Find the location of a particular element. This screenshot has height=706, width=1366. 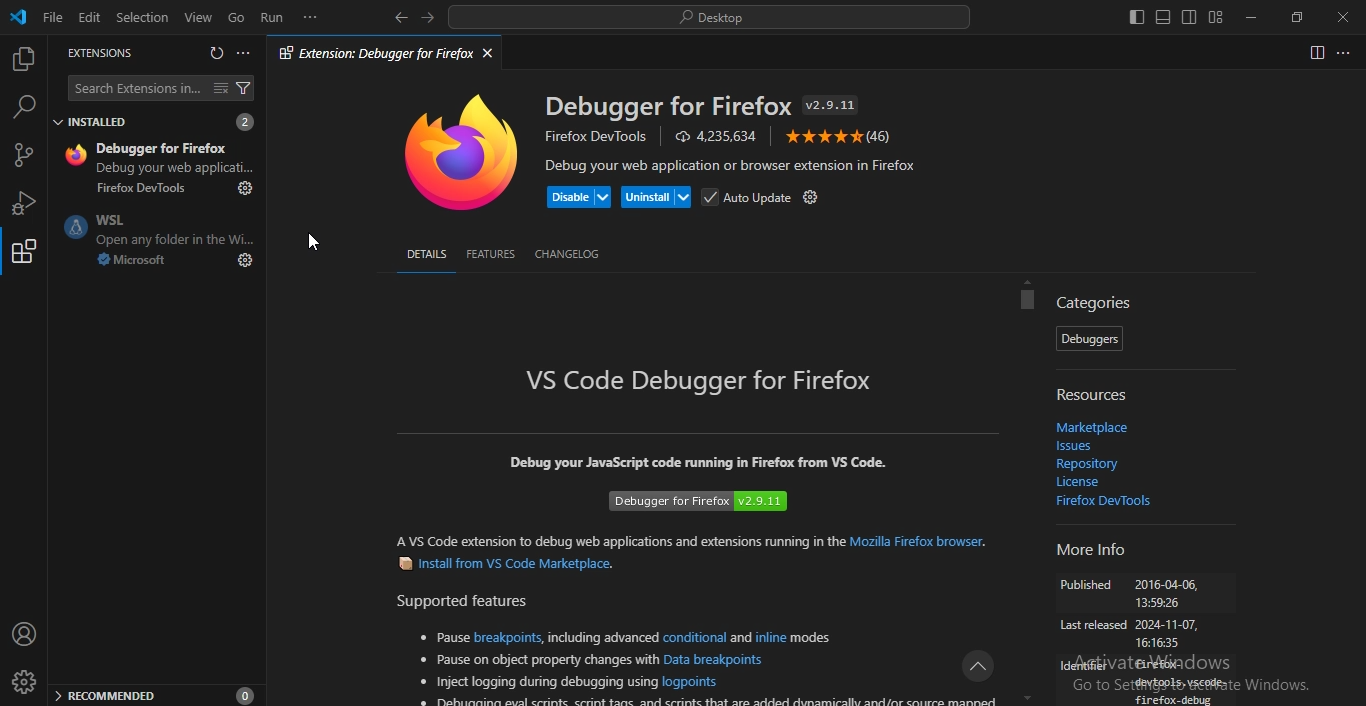

toggle primary side bar is located at coordinates (1134, 18).